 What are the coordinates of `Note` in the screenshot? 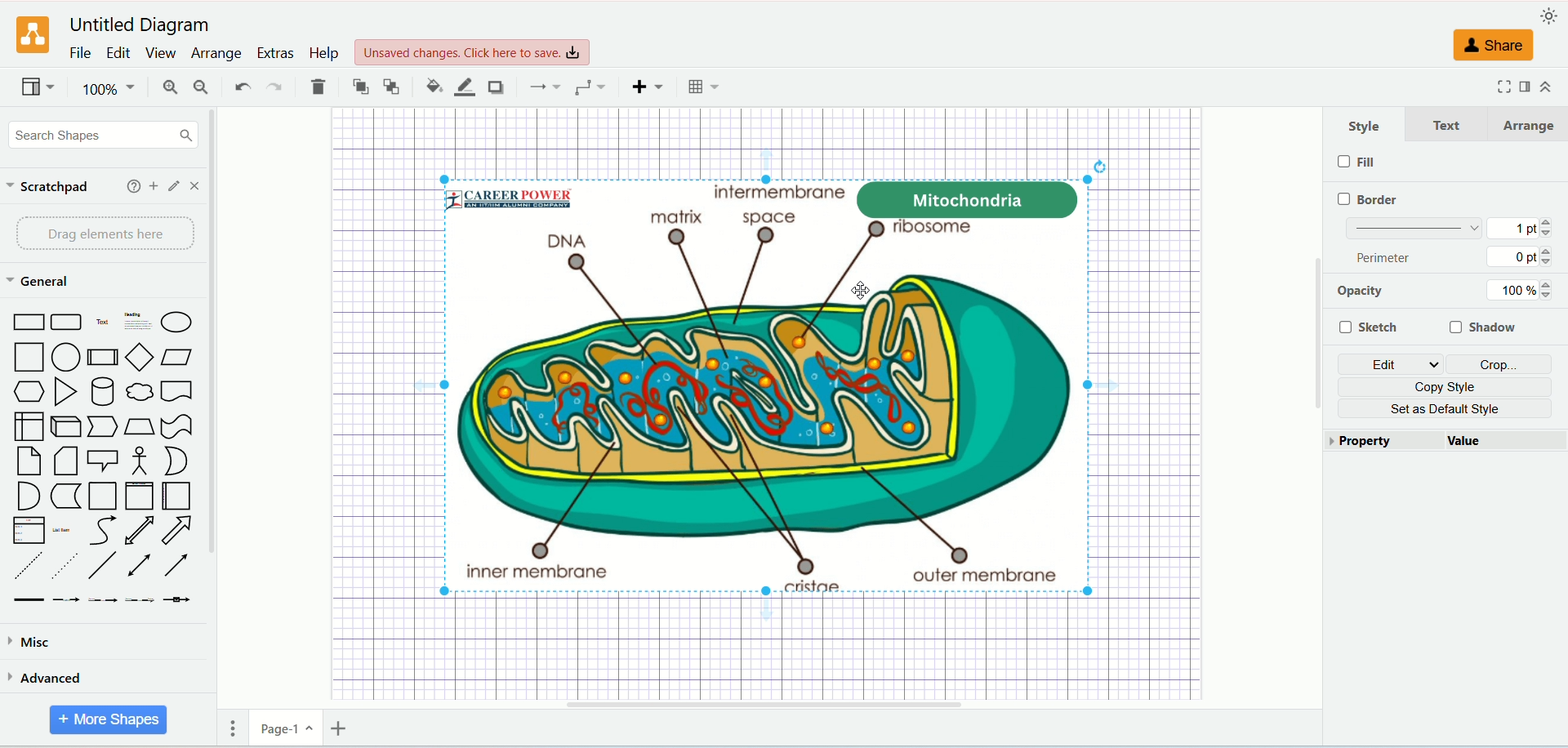 It's located at (67, 462).